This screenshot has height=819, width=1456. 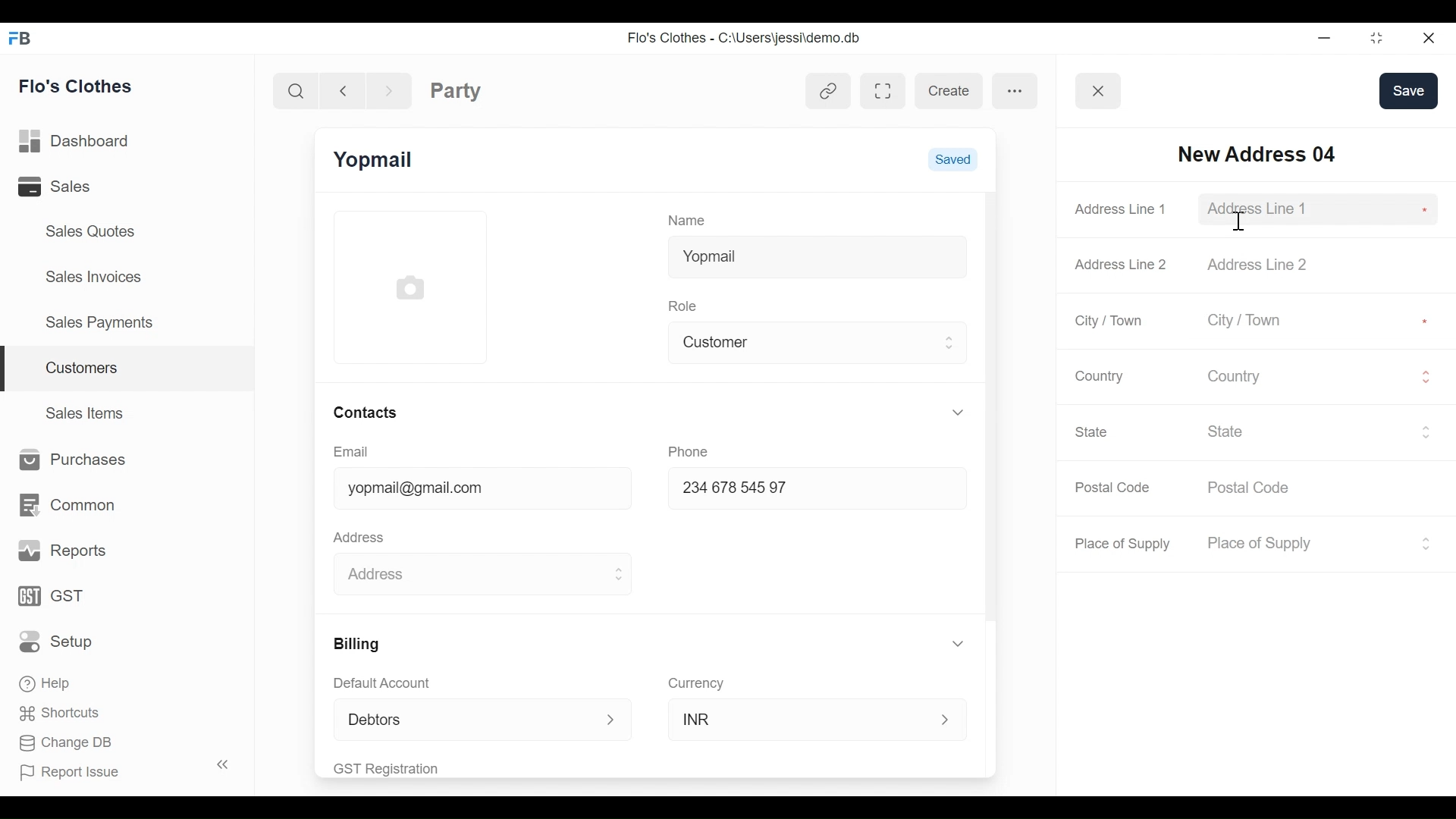 What do you see at coordinates (78, 86) in the screenshot?
I see `Flo's Clothes` at bounding box center [78, 86].